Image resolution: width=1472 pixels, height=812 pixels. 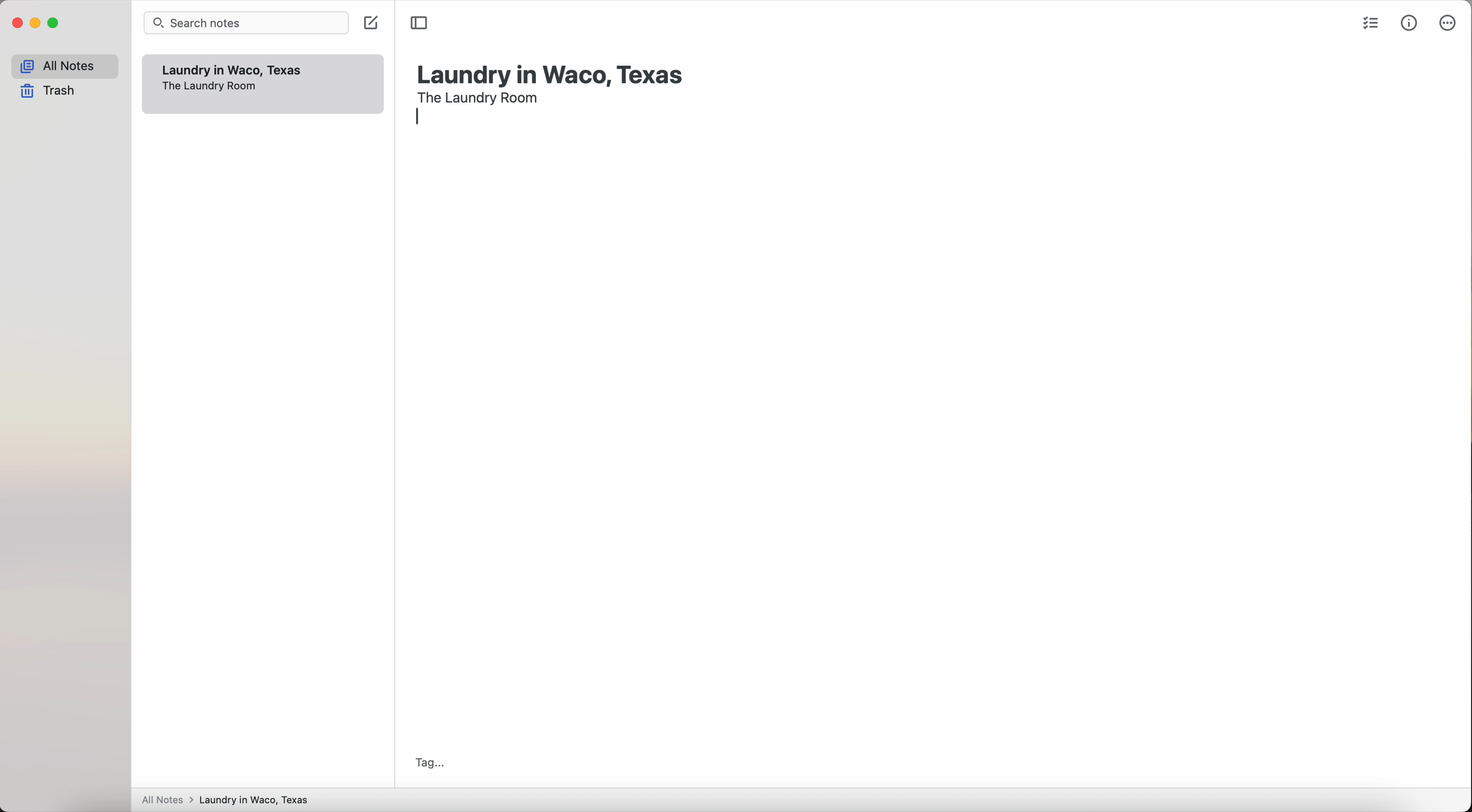 What do you see at coordinates (374, 26) in the screenshot?
I see `click on create note` at bounding box center [374, 26].